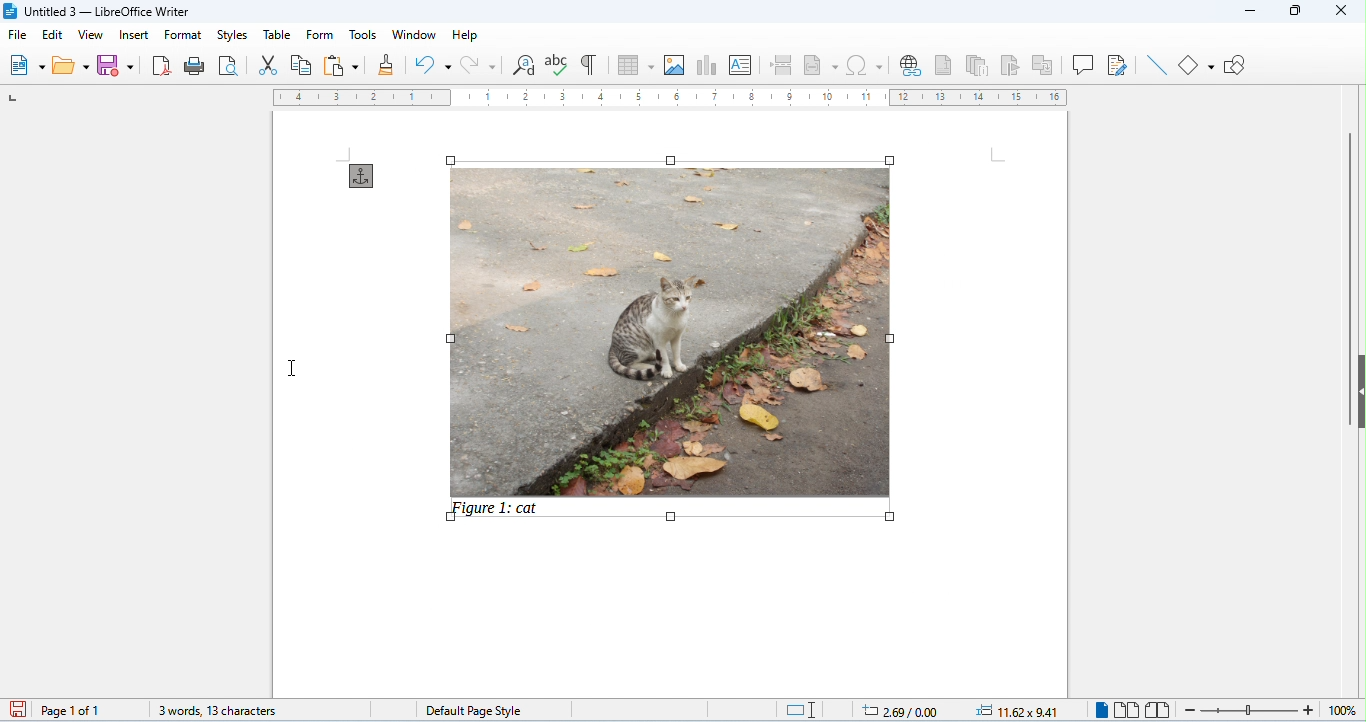  Describe the element at coordinates (53, 35) in the screenshot. I see `edit` at that location.